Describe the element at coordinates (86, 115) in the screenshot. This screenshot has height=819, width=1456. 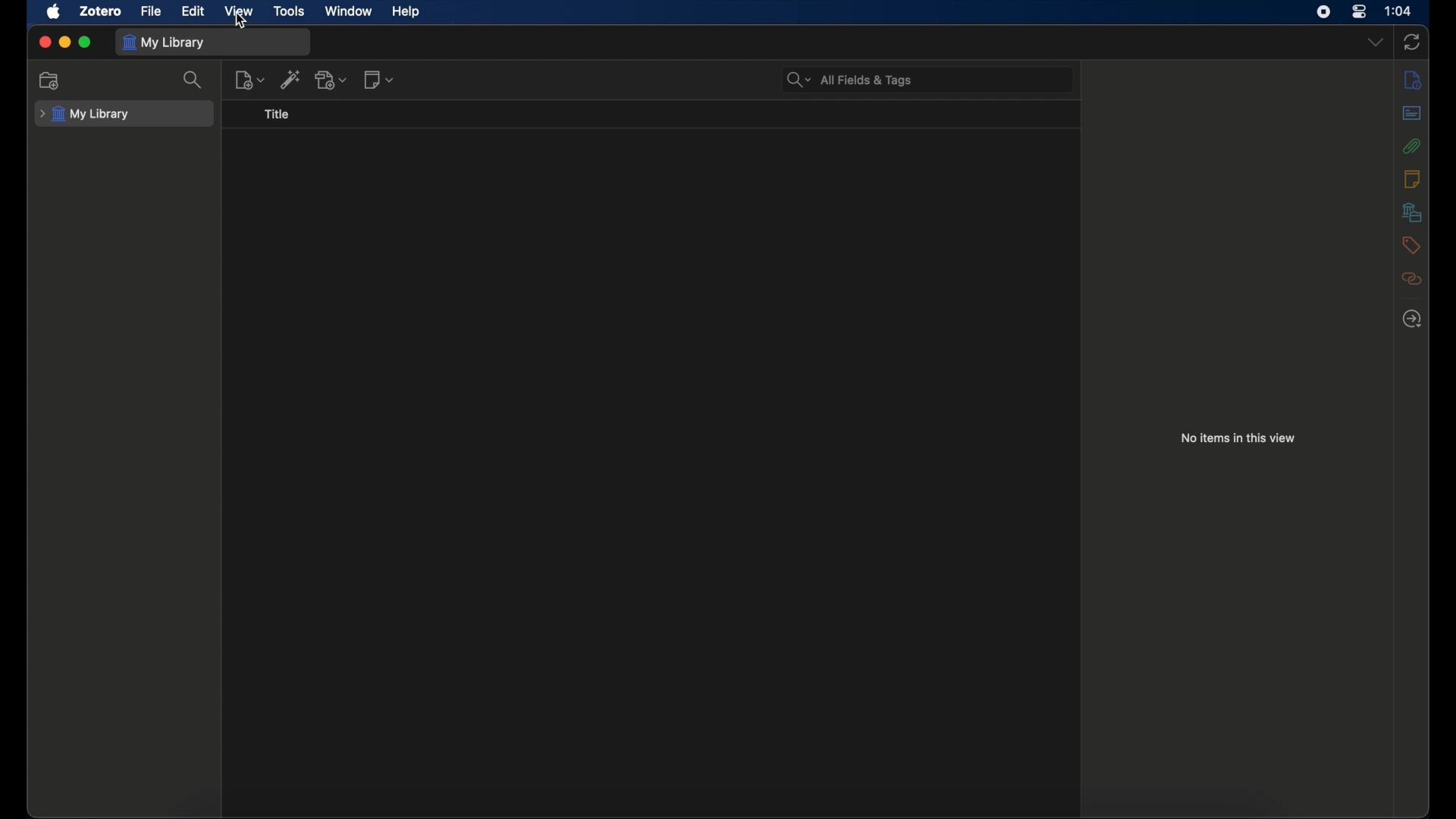
I see `my library` at that location.